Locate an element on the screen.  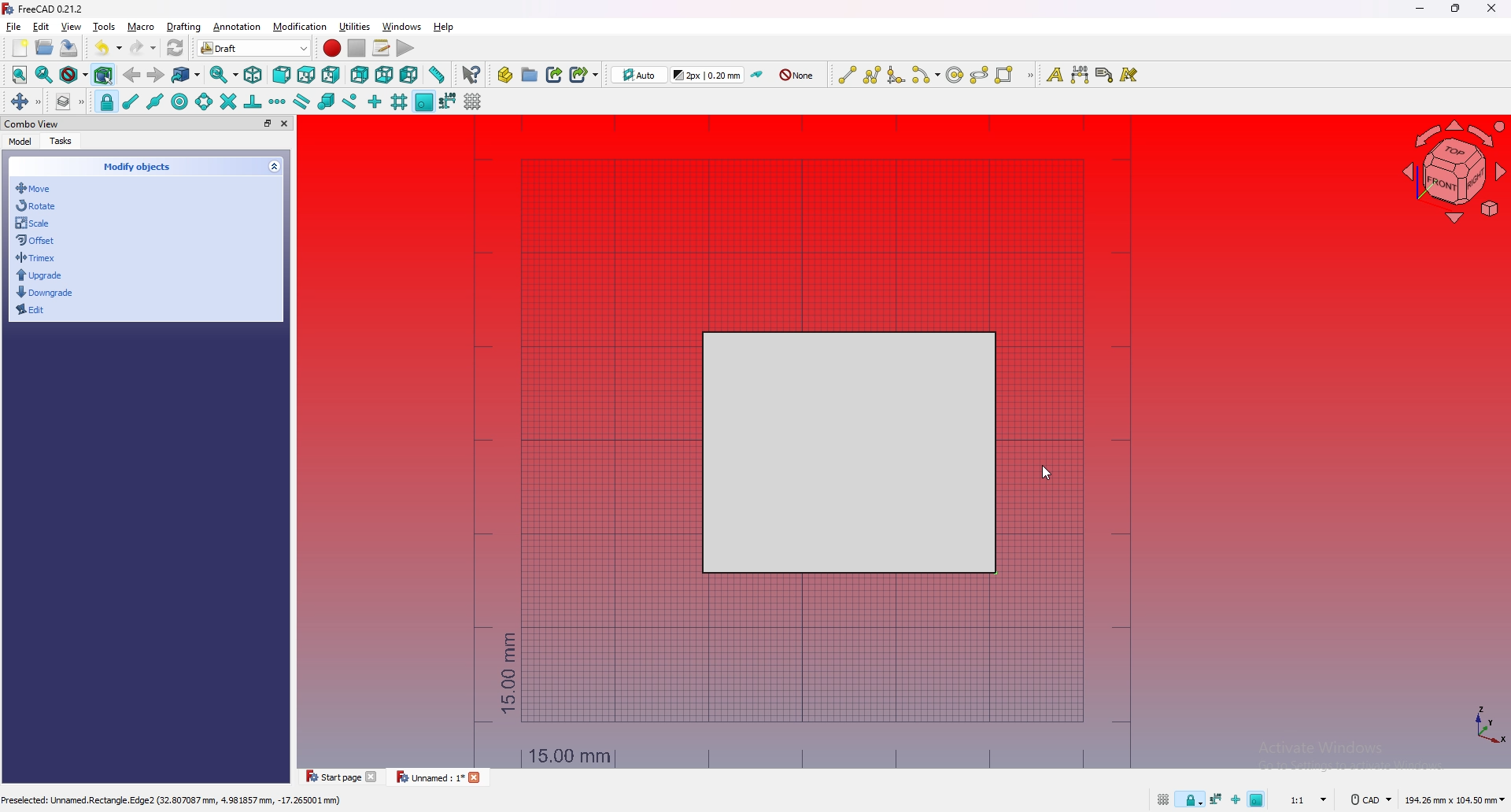
Macro recording is located at coordinates (332, 48).